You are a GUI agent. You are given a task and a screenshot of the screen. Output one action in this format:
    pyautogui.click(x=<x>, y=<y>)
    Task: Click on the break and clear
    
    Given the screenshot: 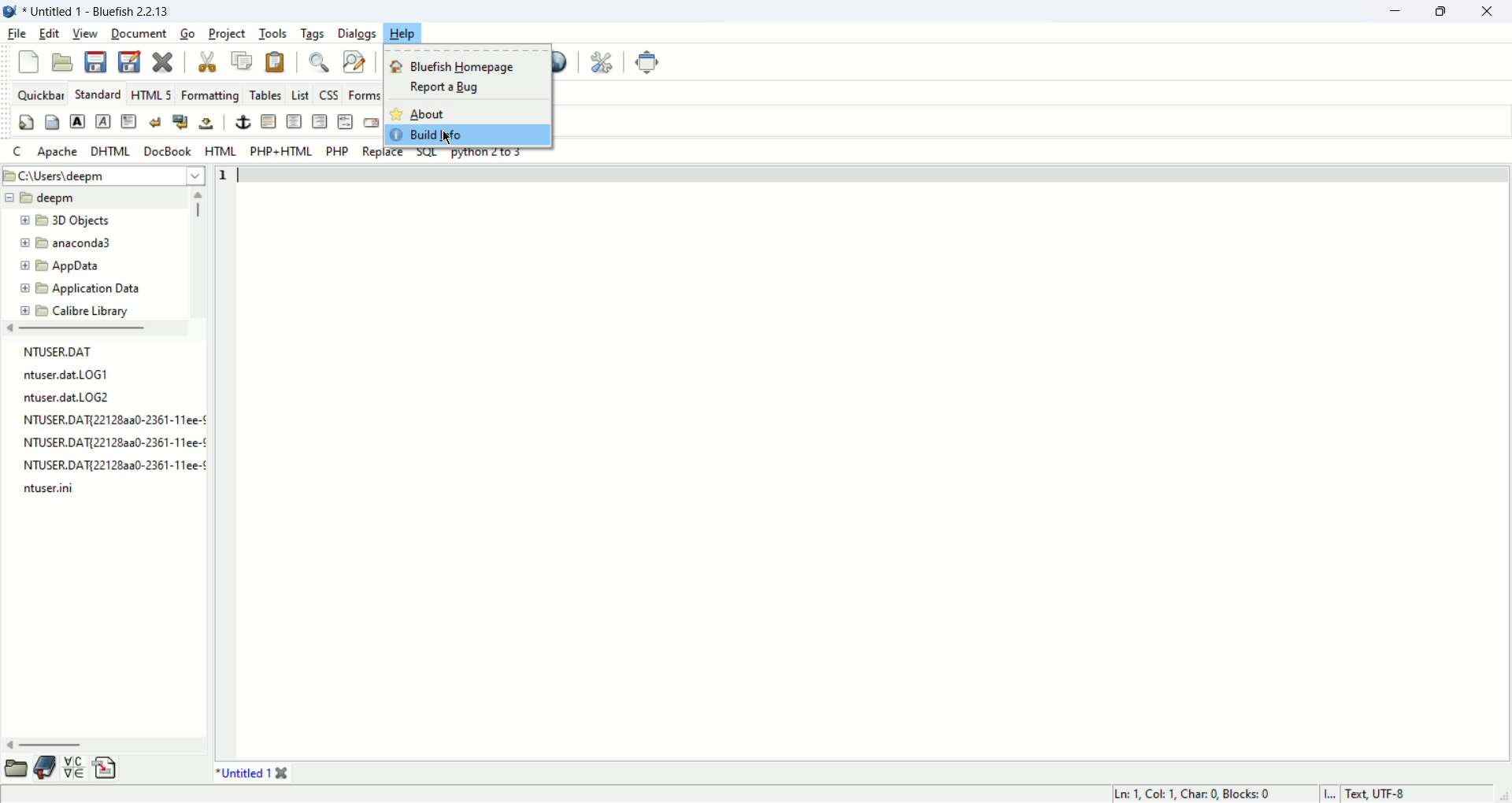 What is the action you would take?
    pyautogui.click(x=181, y=121)
    